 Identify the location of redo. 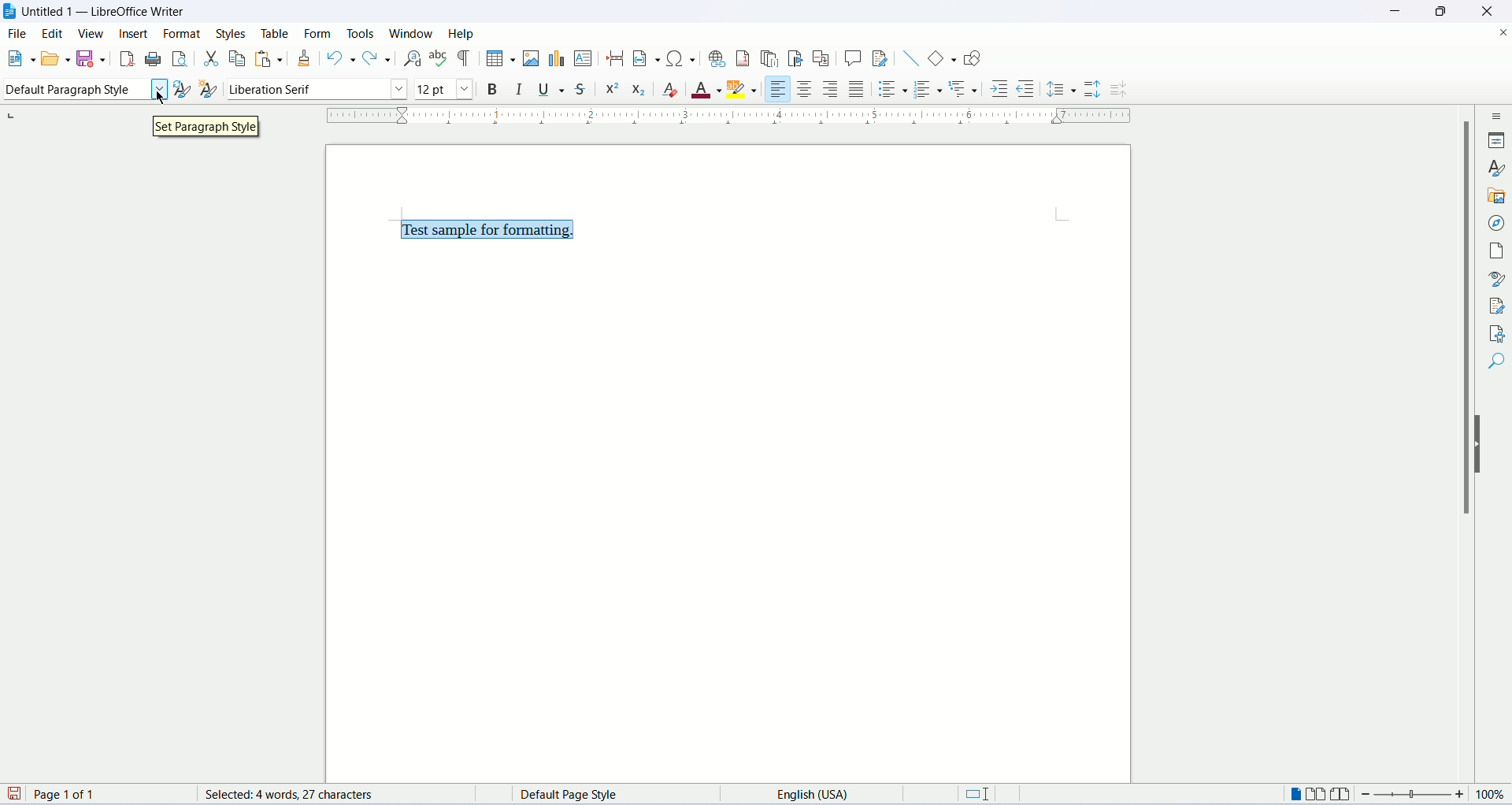
(376, 60).